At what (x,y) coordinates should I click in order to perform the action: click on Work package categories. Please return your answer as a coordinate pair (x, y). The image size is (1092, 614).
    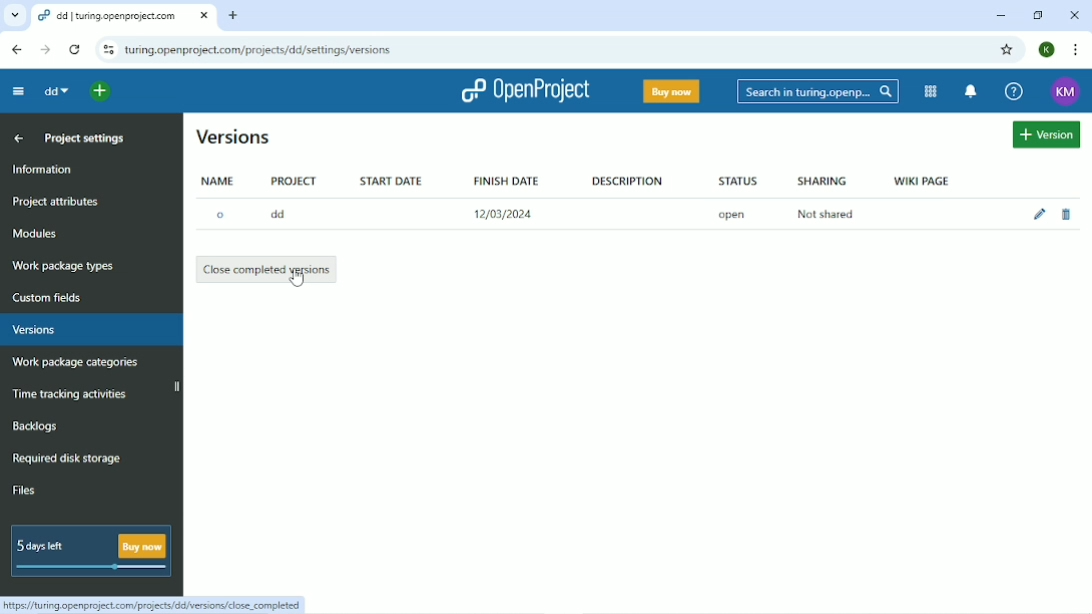
    Looking at the image, I should click on (76, 364).